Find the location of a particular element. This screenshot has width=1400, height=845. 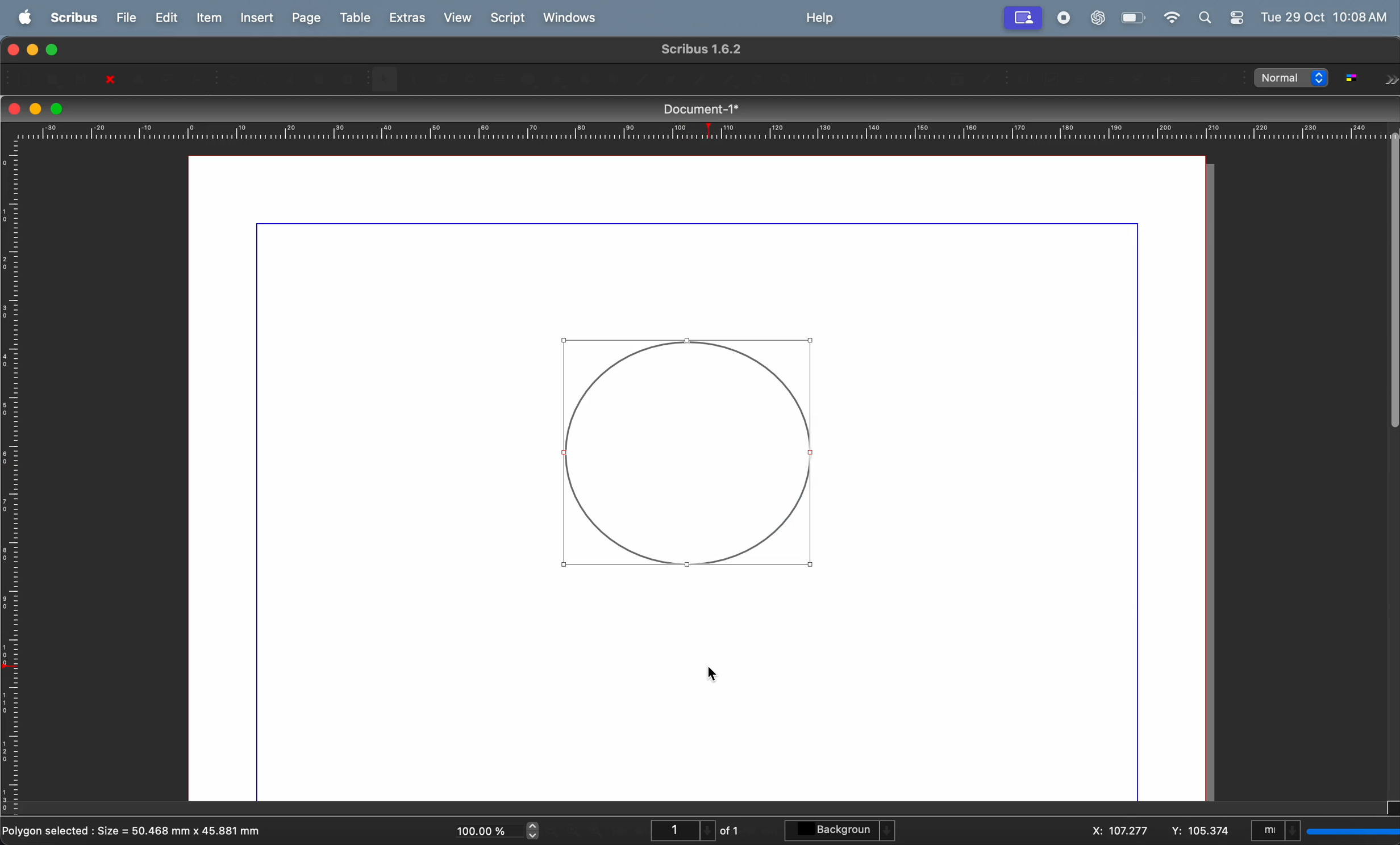

Script is located at coordinates (510, 18).